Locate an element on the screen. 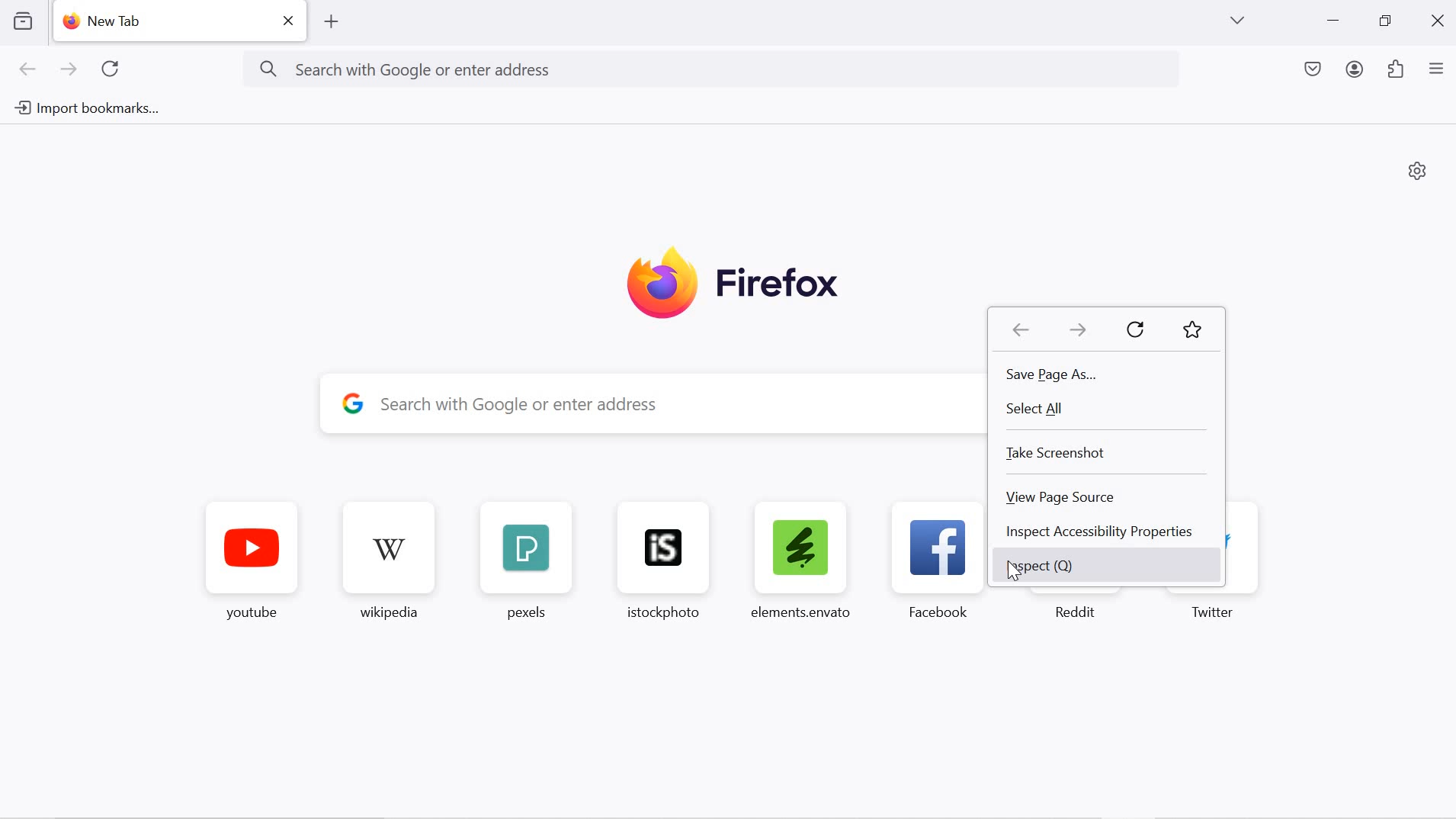 The width and height of the screenshot is (1456, 819). inspect is located at coordinates (1110, 565).